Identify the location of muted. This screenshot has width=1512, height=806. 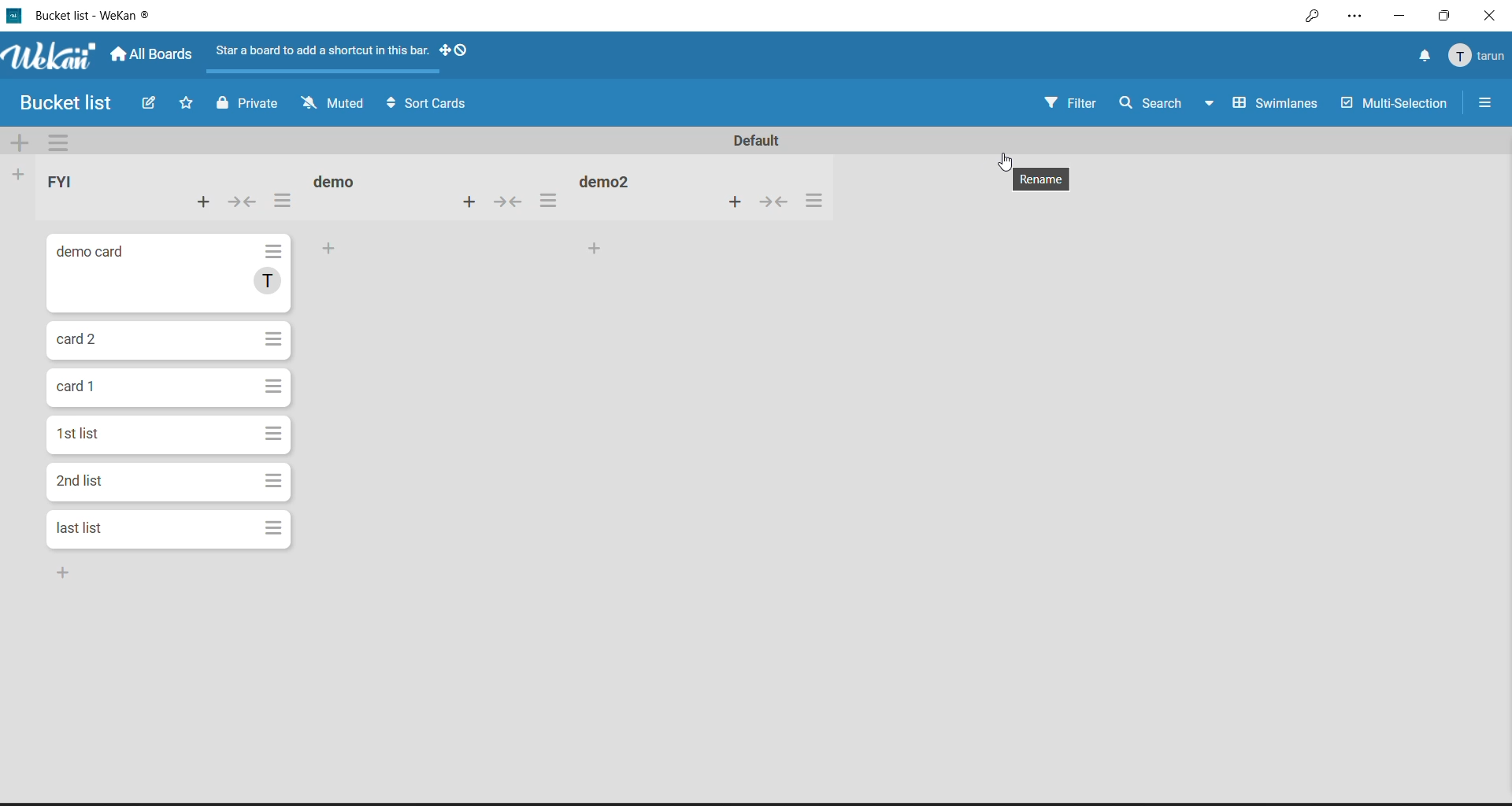
(335, 102).